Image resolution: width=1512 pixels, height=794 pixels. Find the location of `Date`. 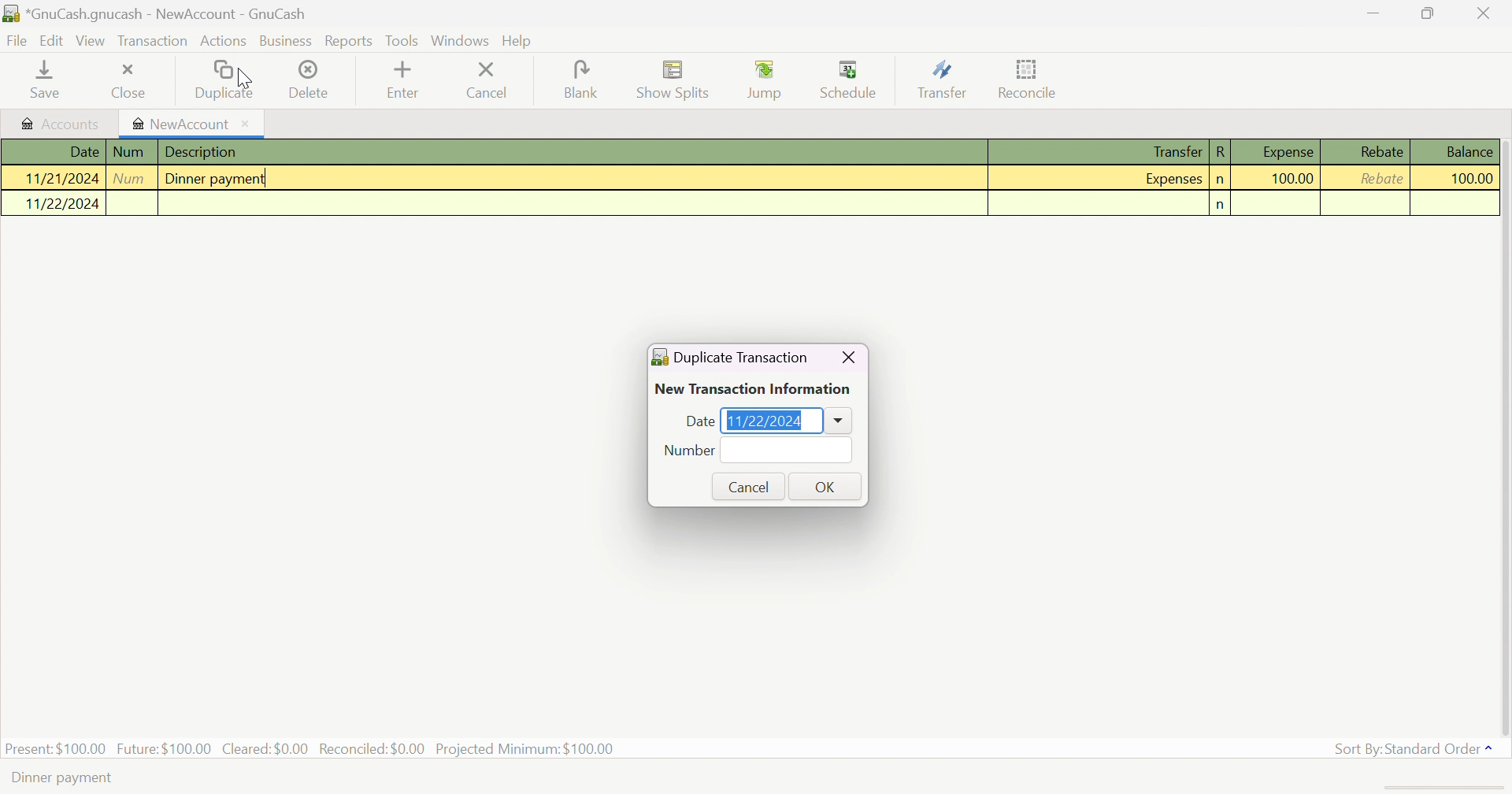

Date is located at coordinates (698, 421).